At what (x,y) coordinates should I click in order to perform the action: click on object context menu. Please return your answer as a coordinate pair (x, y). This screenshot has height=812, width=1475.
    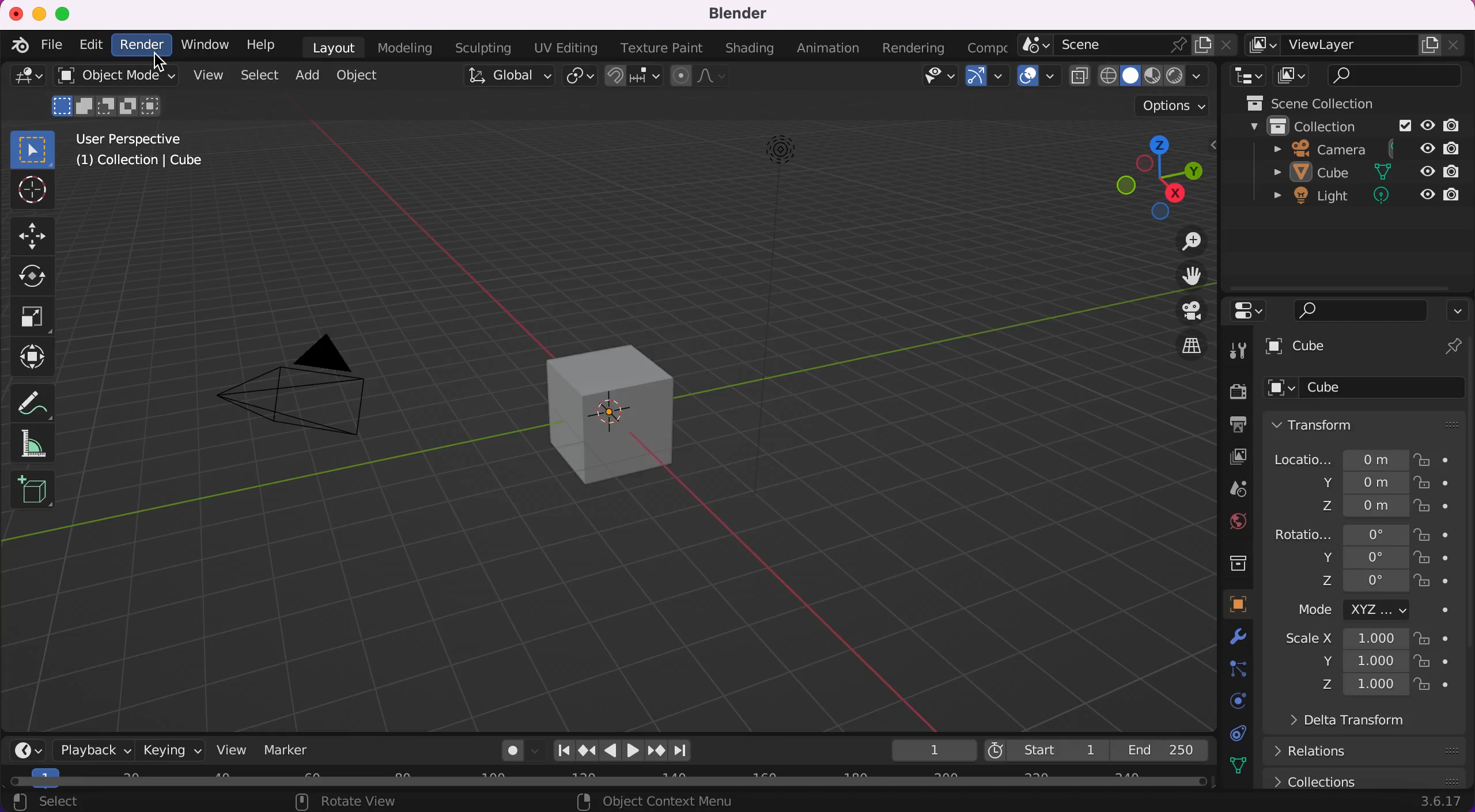
    Looking at the image, I should click on (668, 802).